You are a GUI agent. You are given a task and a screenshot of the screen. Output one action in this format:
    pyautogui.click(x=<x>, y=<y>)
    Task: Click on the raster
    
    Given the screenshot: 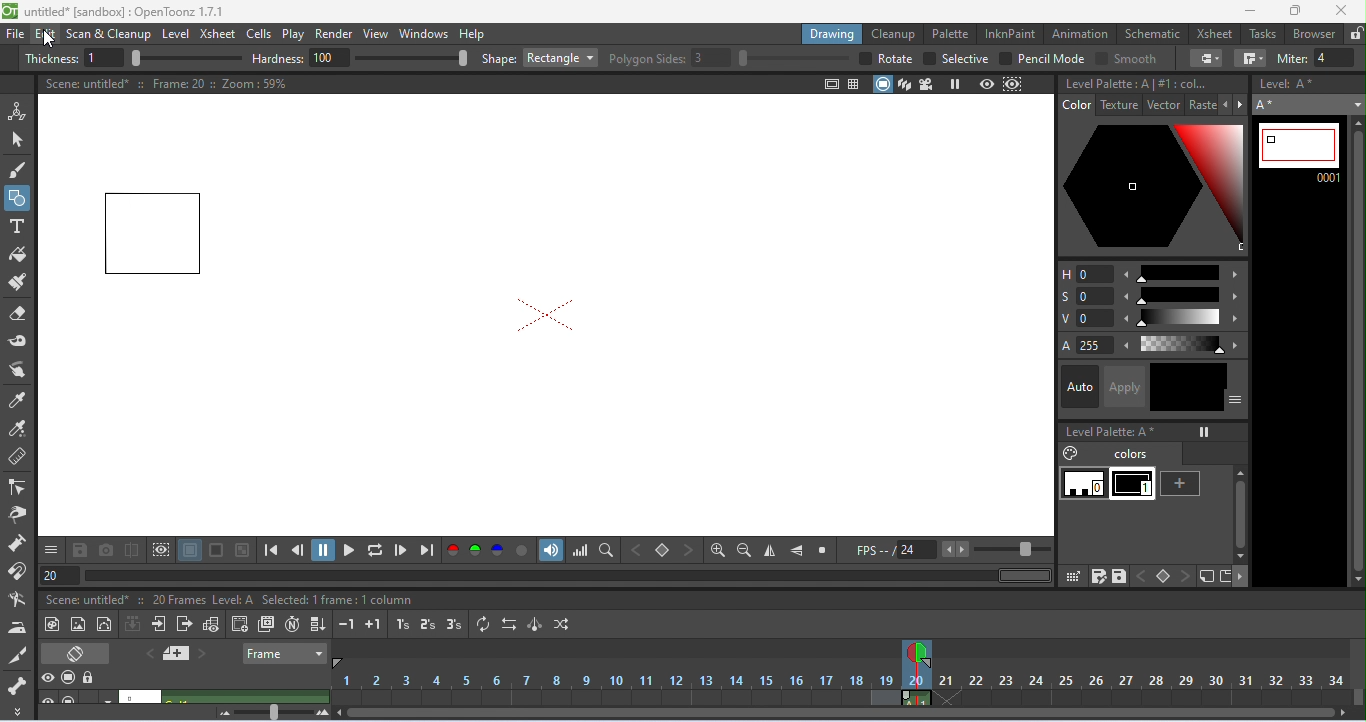 What is the action you would take?
    pyautogui.click(x=1200, y=105)
    